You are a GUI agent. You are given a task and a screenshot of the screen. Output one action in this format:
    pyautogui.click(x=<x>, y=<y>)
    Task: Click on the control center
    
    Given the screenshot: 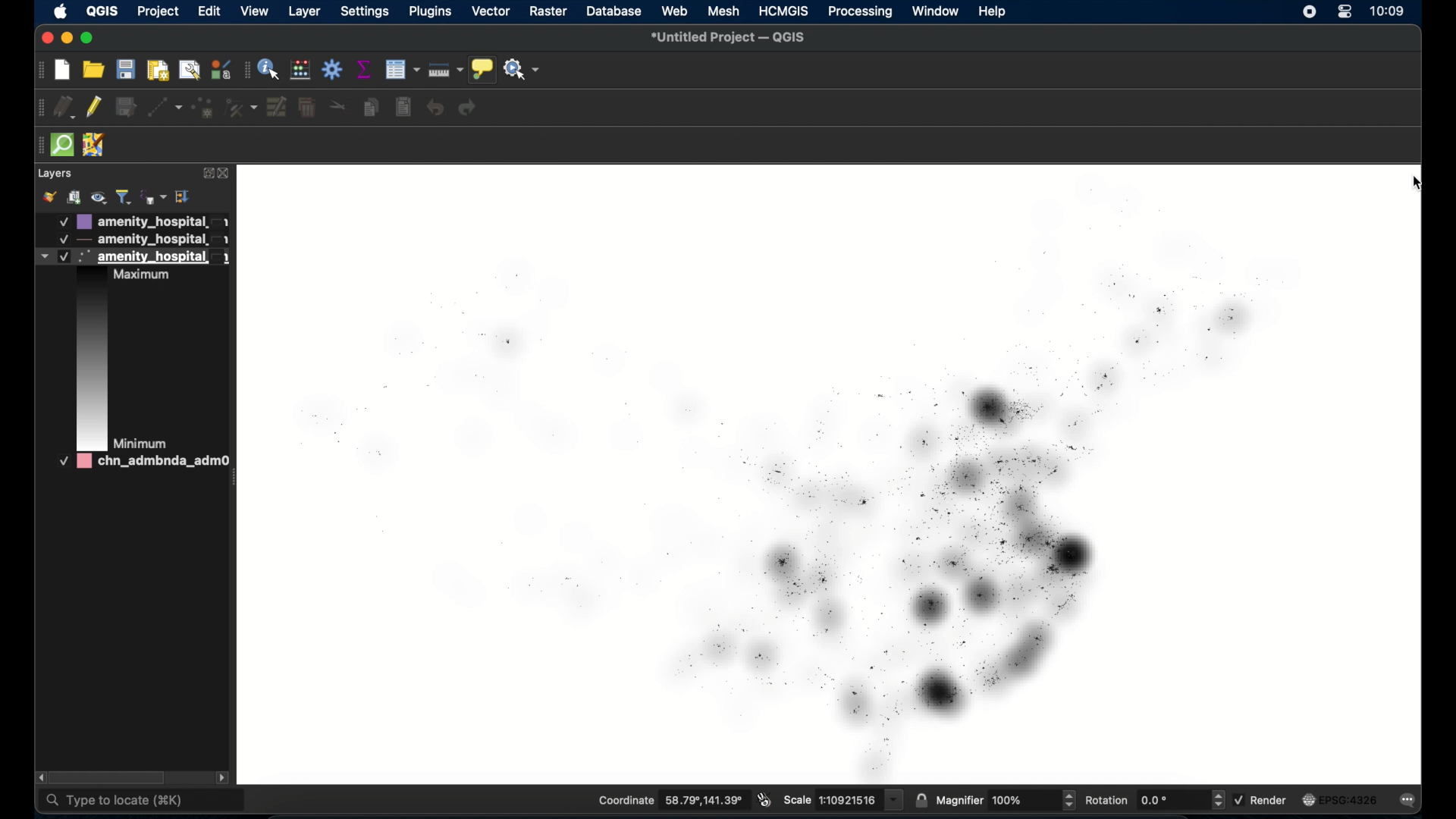 What is the action you would take?
    pyautogui.click(x=1346, y=12)
    